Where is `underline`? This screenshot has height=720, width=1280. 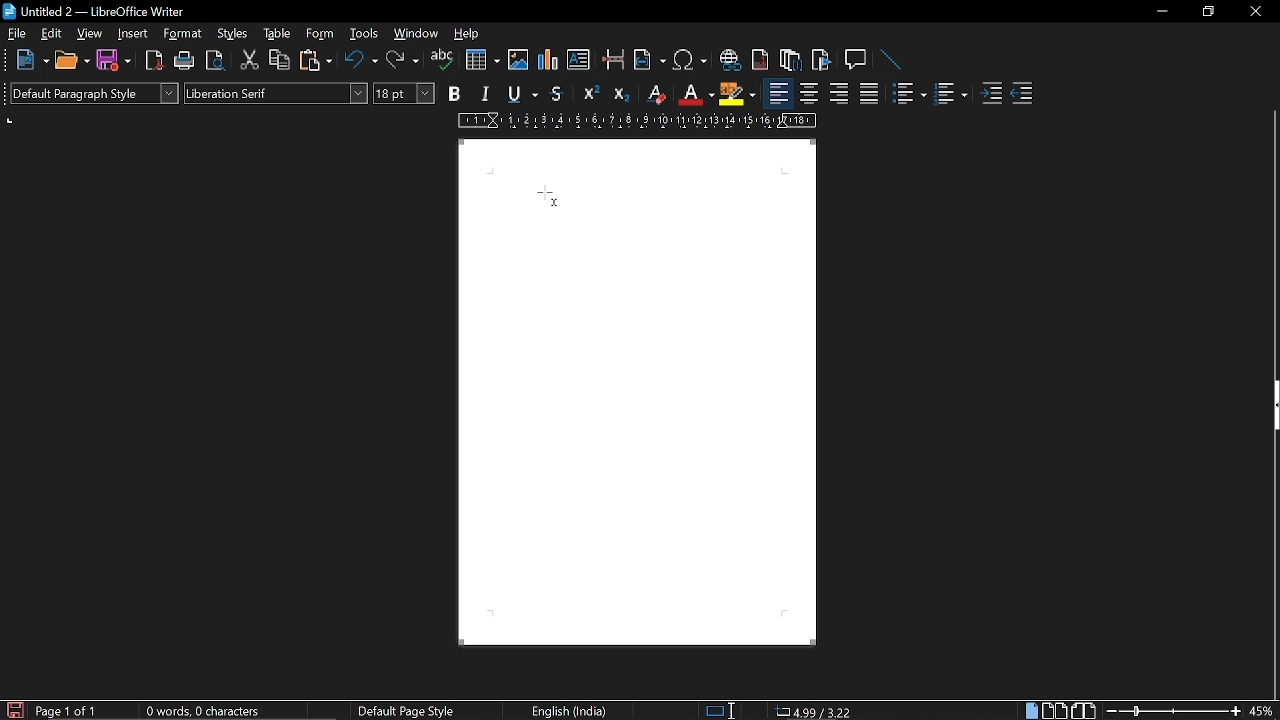
underline is located at coordinates (519, 94).